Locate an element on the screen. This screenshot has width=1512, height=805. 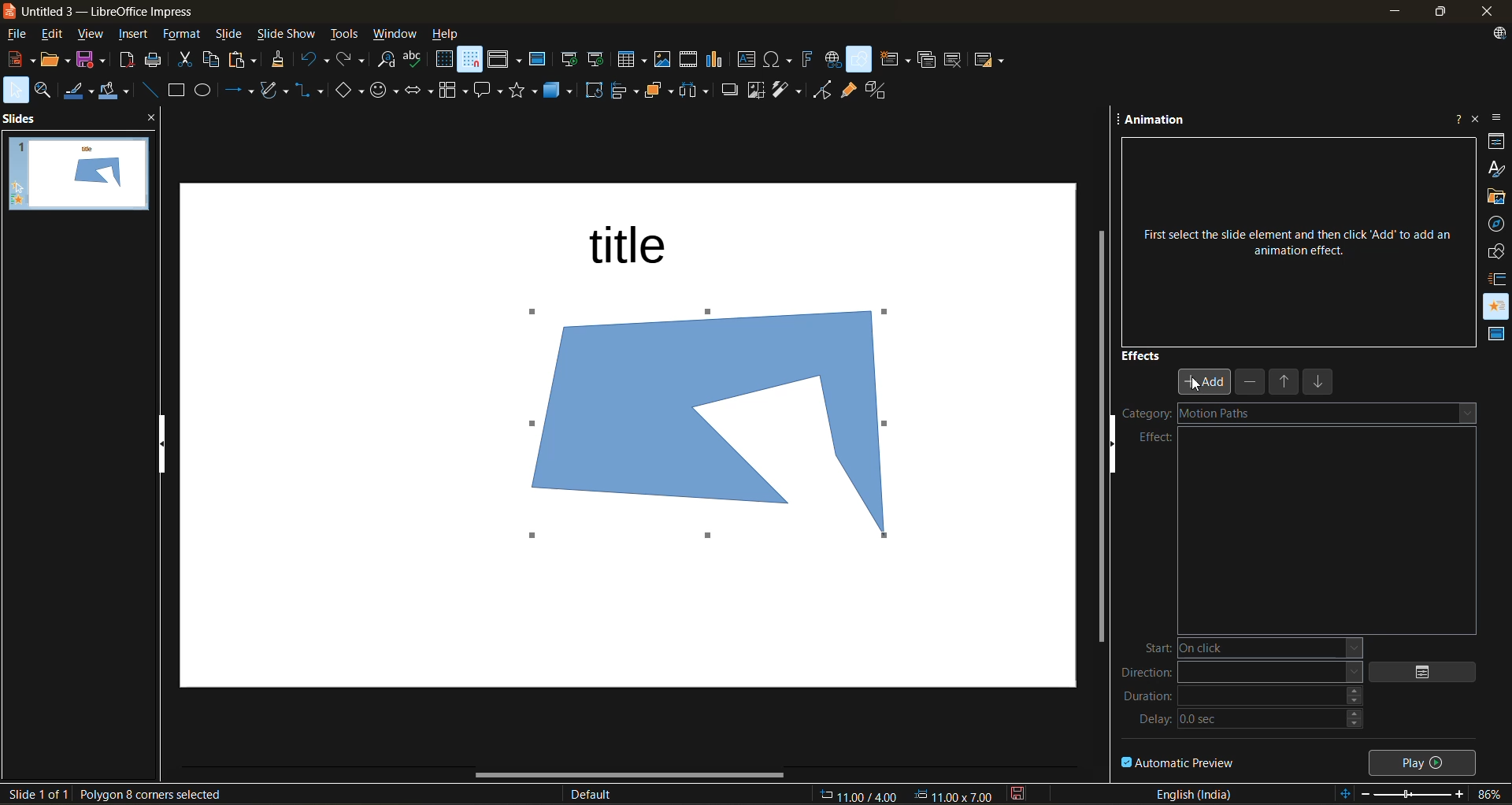
stars and banners is located at coordinates (524, 90).